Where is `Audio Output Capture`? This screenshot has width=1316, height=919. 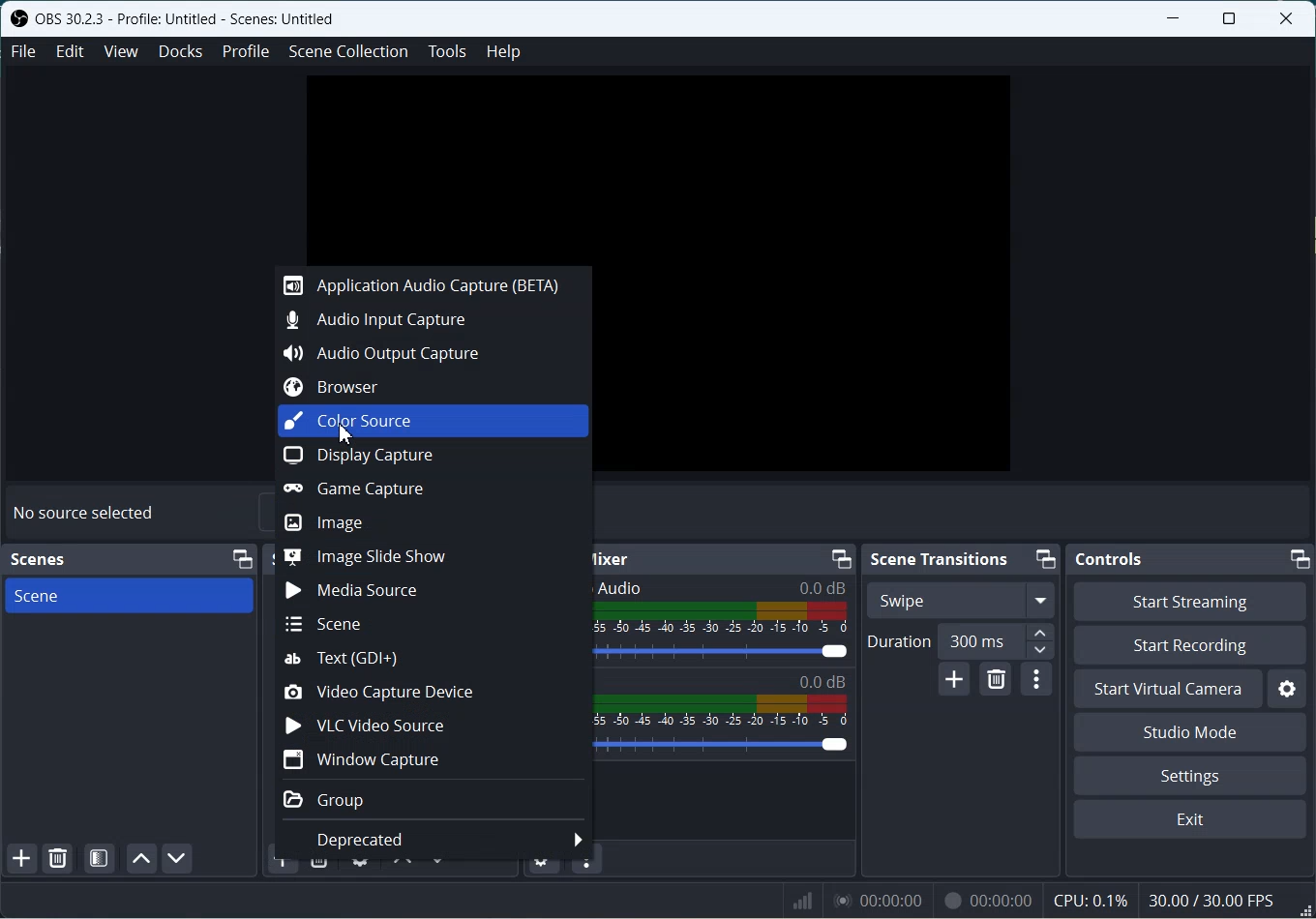
Audio Output Capture is located at coordinates (423, 355).